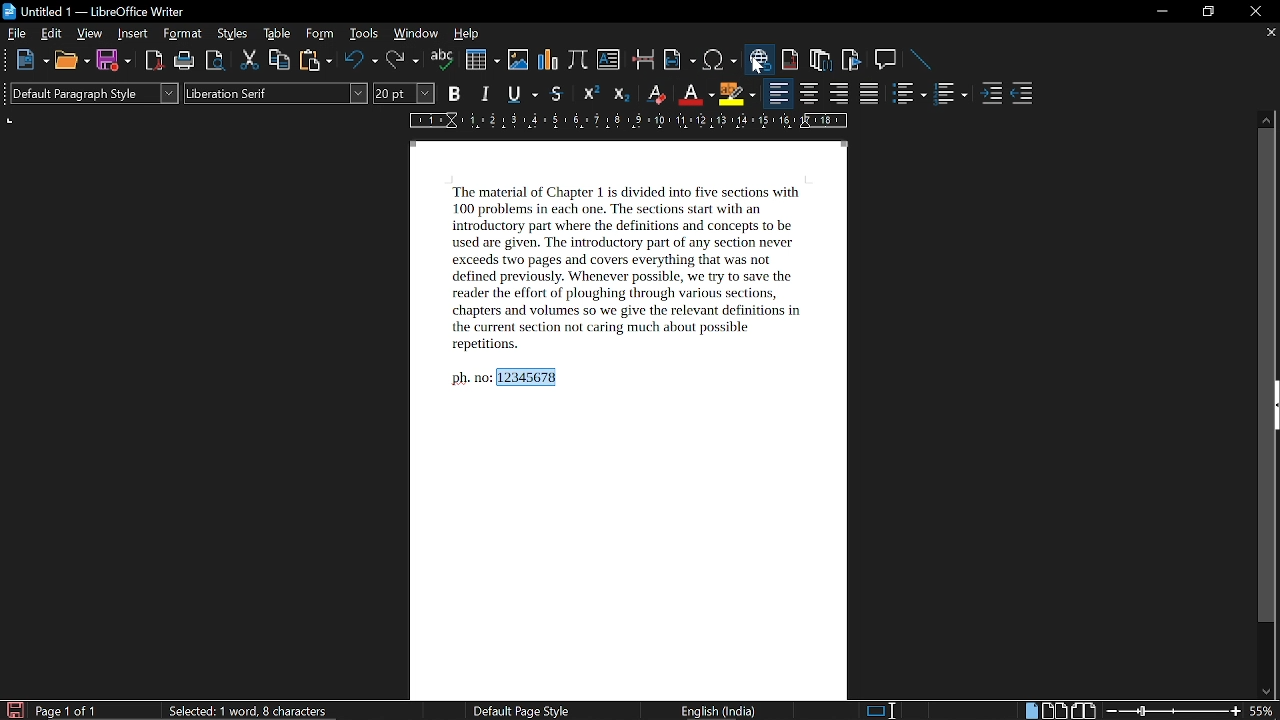 The height and width of the screenshot is (720, 1280). What do you see at coordinates (1270, 33) in the screenshot?
I see `close current tab` at bounding box center [1270, 33].